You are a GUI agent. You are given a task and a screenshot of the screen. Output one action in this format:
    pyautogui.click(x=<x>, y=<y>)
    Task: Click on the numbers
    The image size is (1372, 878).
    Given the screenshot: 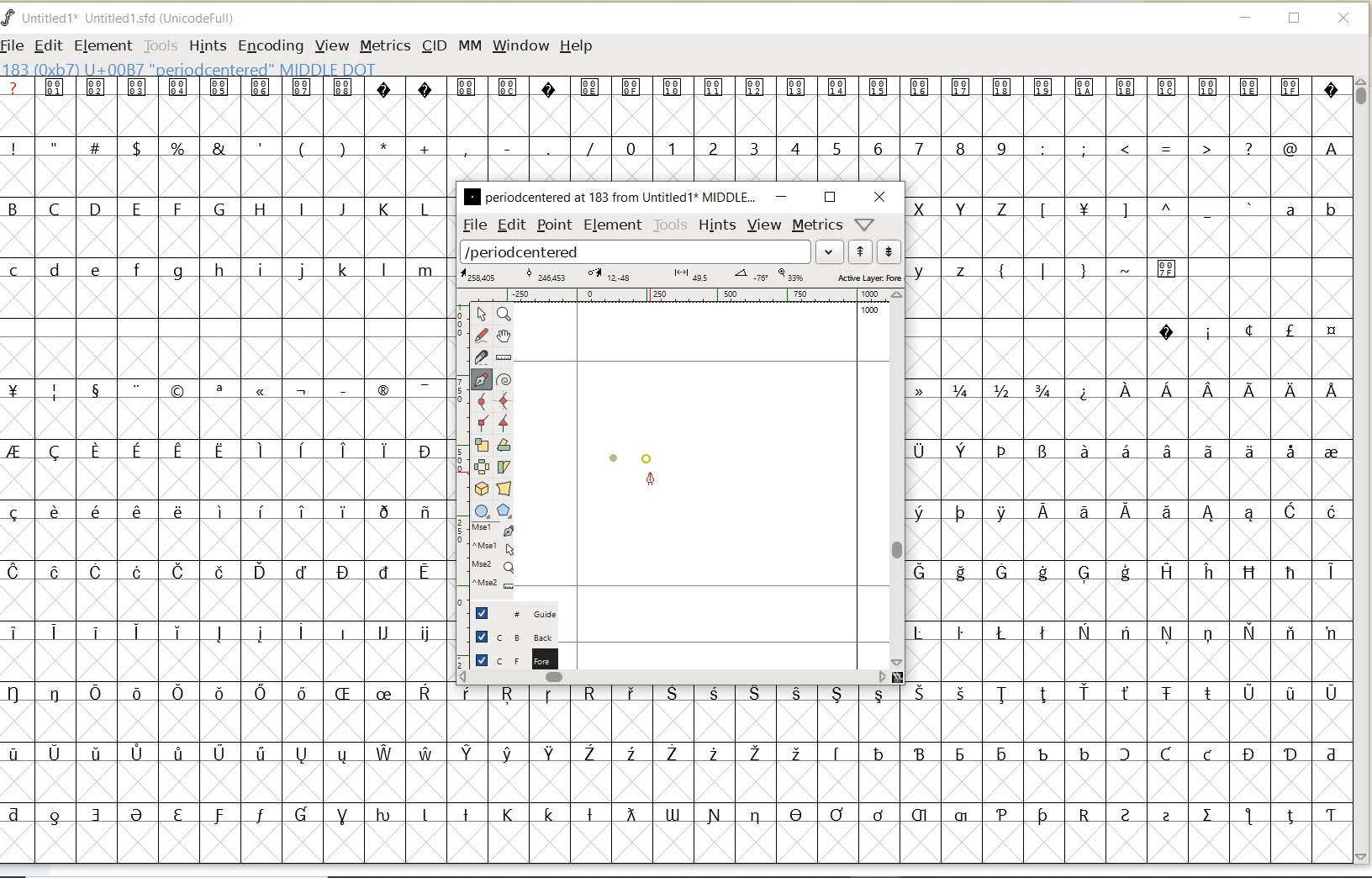 What is the action you would take?
    pyautogui.click(x=812, y=147)
    